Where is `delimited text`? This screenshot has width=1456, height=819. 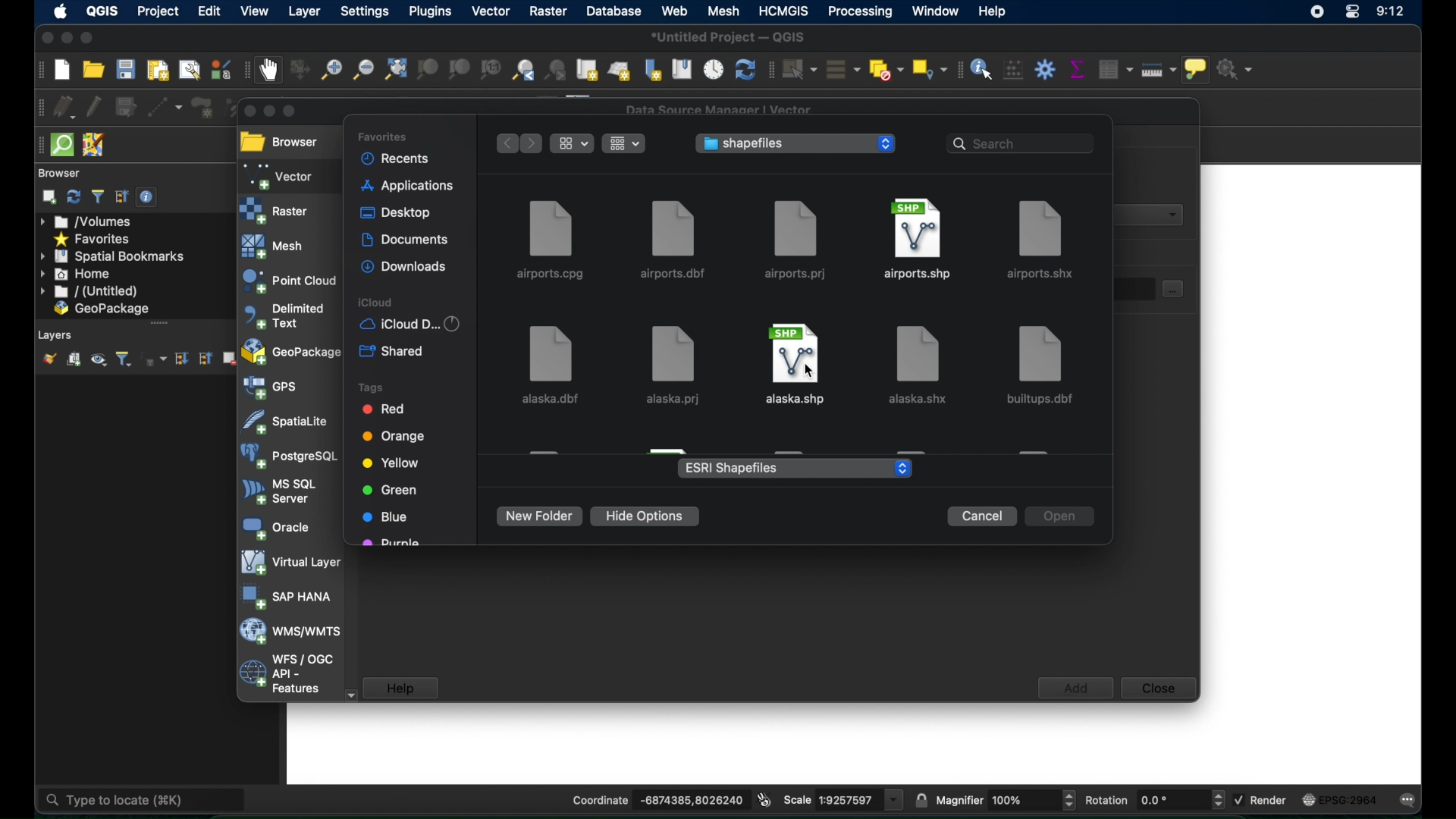 delimited text is located at coordinates (283, 315).